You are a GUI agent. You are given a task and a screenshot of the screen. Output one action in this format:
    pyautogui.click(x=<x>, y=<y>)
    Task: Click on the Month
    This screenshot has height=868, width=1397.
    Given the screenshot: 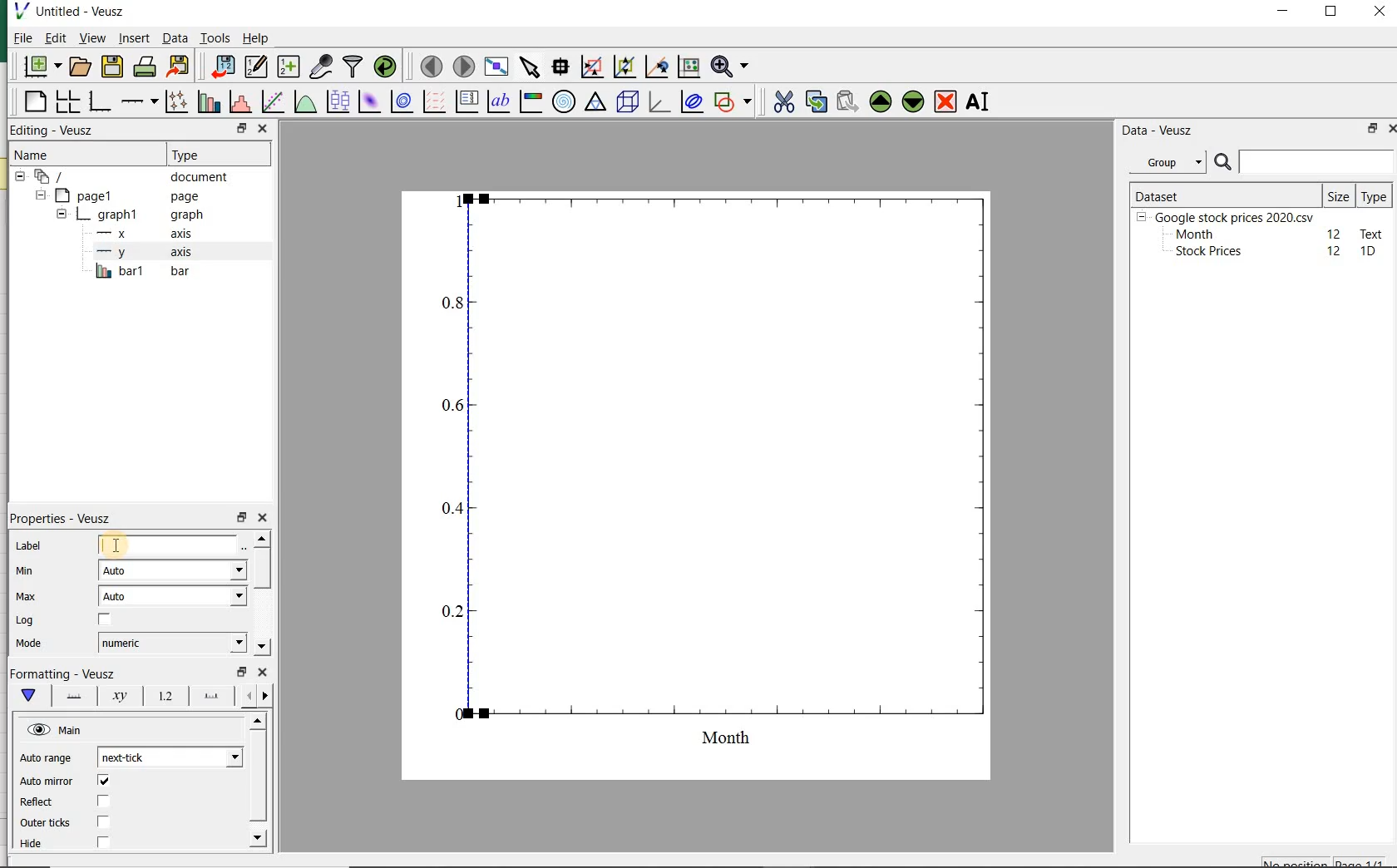 What is the action you would take?
    pyautogui.click(x=1193, y=234)
    